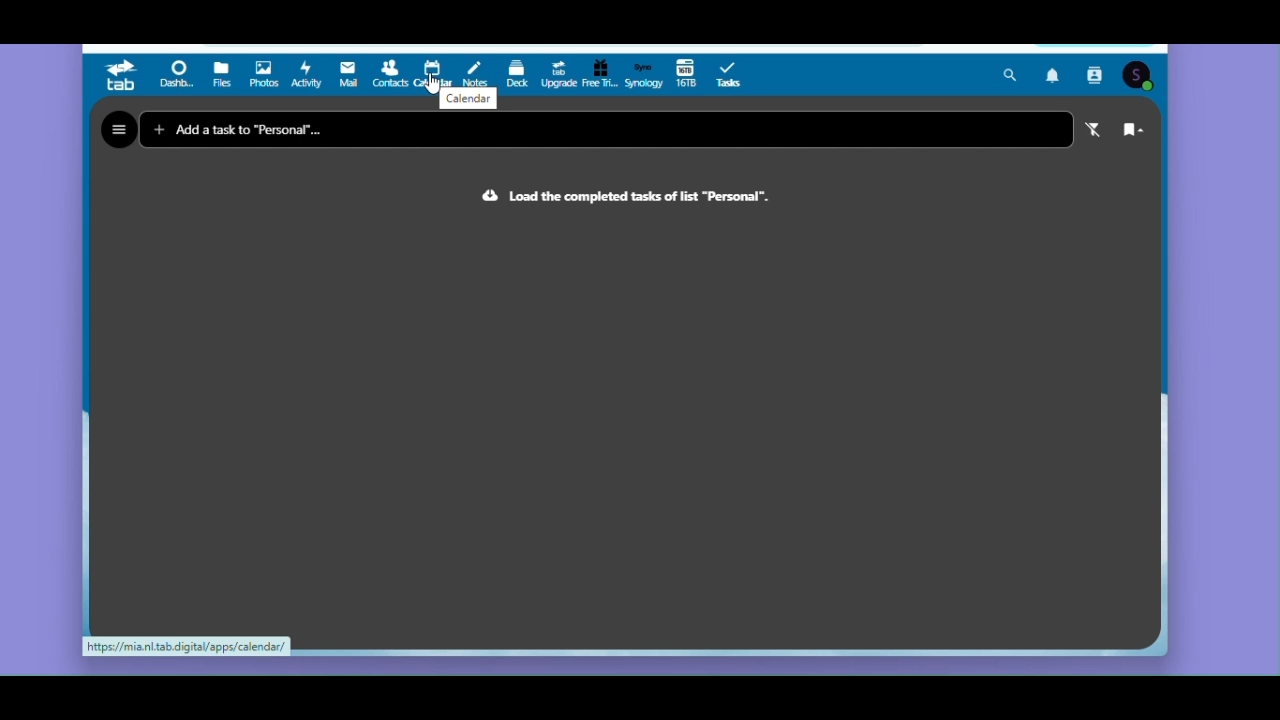 The width and height of the screenshot is (1280, 720). What do you see at coordinates (122, 76) in the screenshot?
I see `tab` at bounding box center [122, 76].